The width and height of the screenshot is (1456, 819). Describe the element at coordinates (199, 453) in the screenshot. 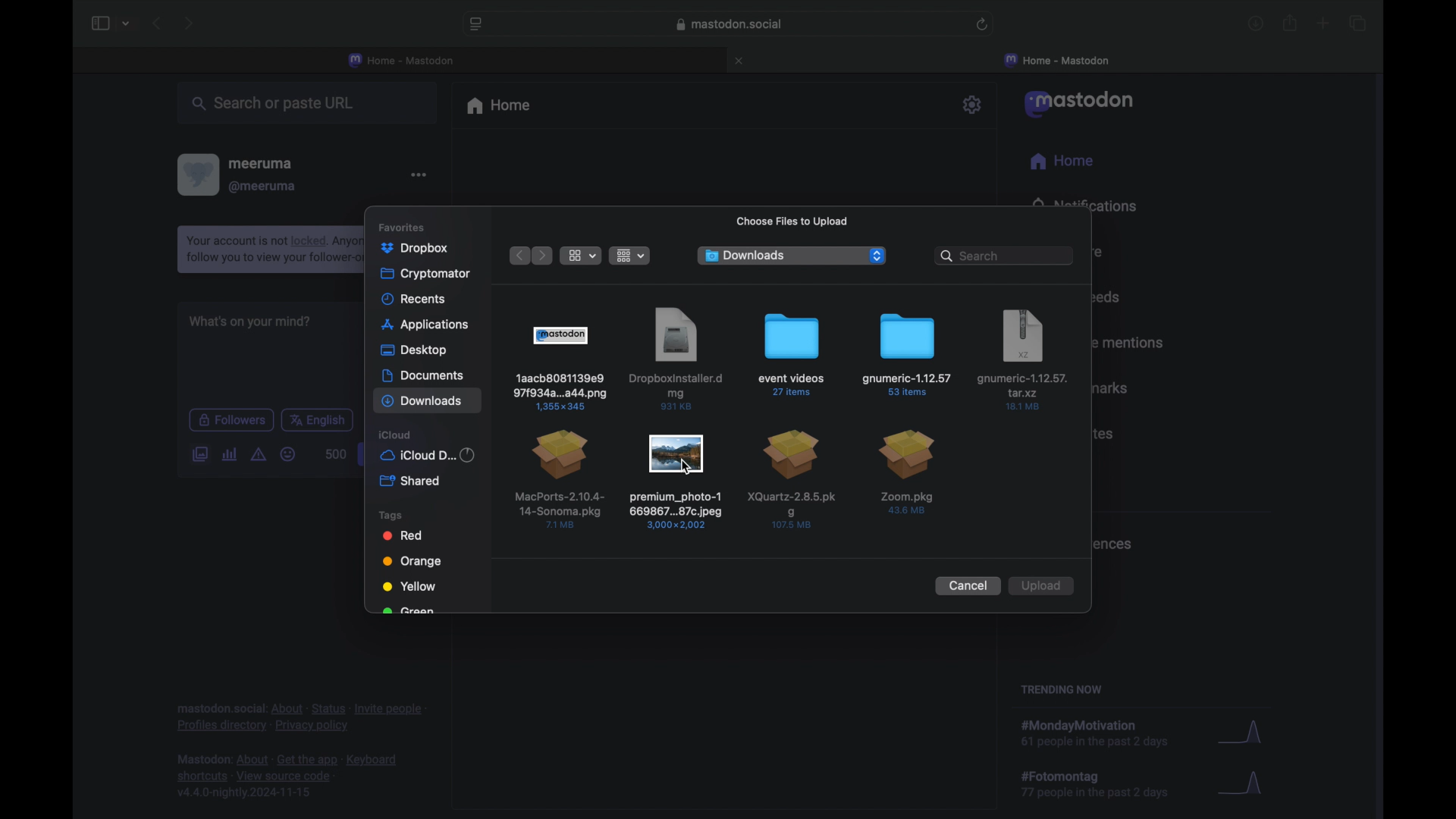

I see `add image` at that location.